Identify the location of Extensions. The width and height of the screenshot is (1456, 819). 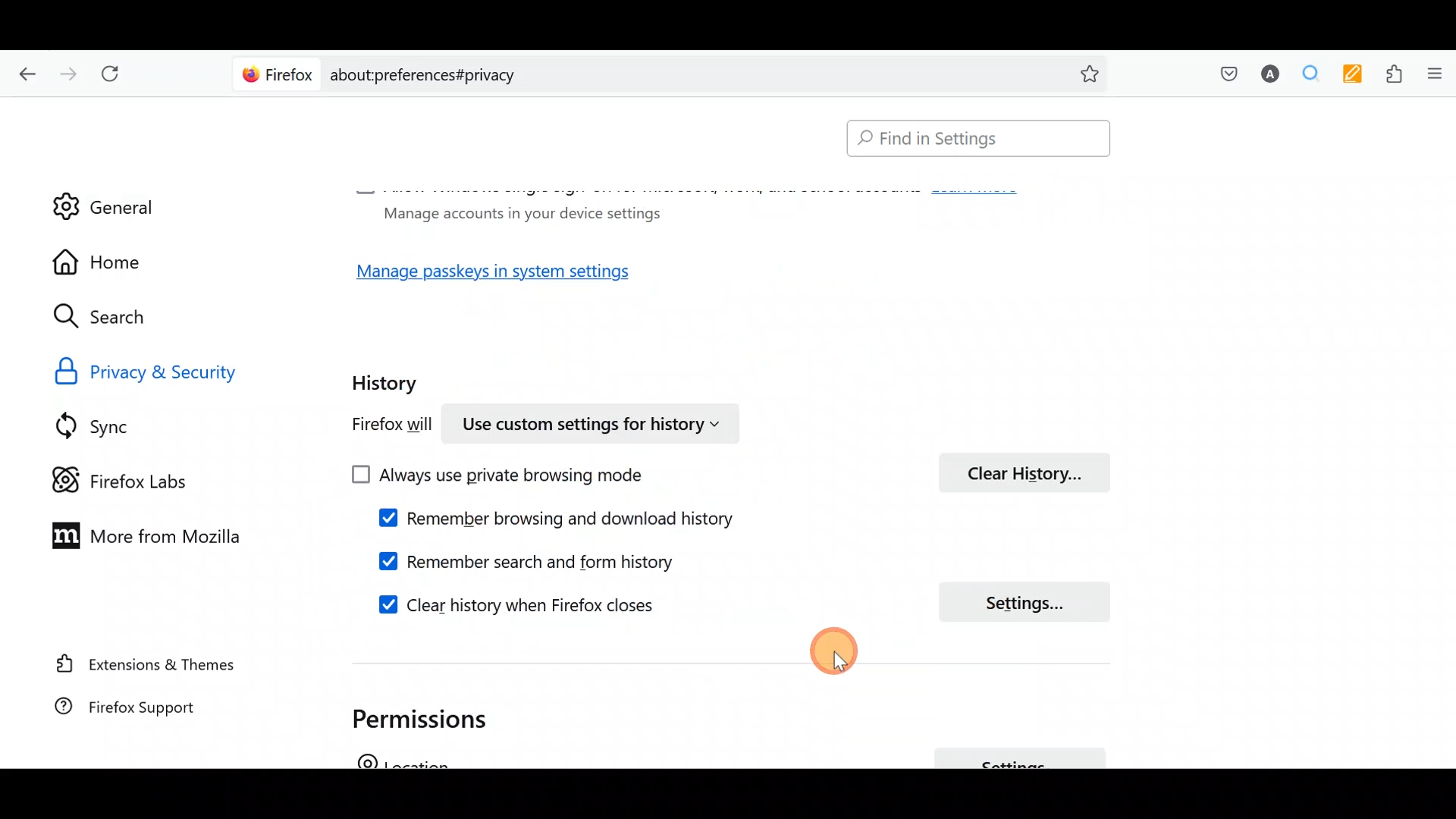
(1390, 74).